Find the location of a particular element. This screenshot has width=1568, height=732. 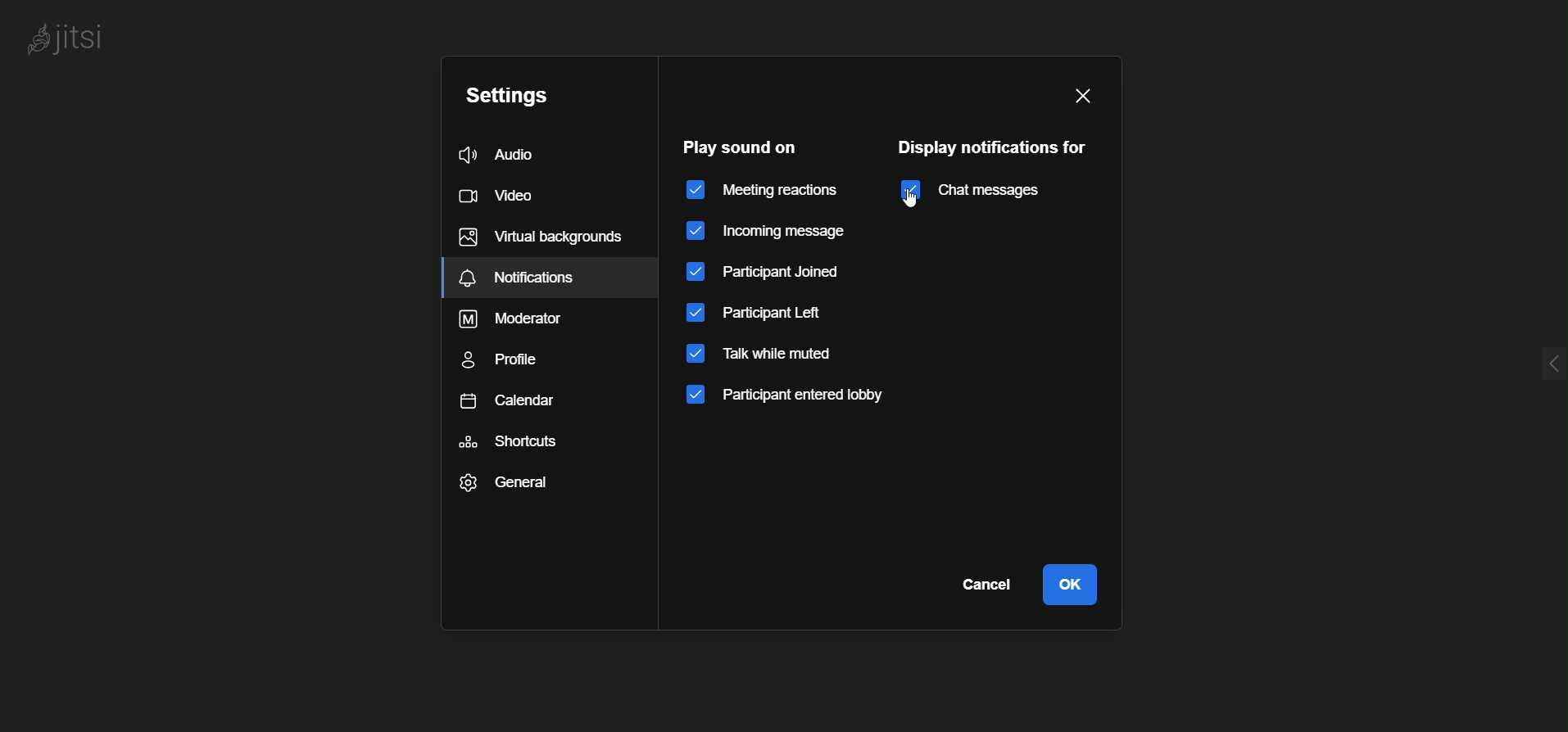

participant joined is located at coordinates (765, 273).